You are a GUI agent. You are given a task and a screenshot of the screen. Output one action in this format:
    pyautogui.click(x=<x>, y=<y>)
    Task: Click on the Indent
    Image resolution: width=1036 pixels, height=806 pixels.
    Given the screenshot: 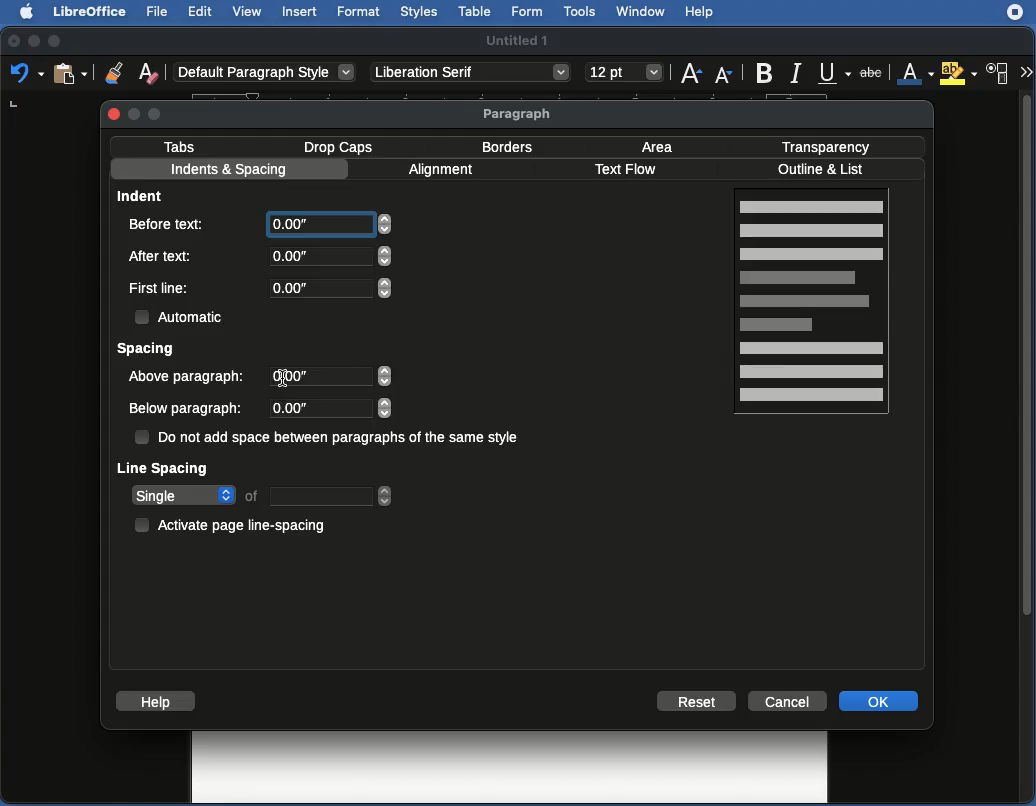 What is the action you would take?
    pyautogui.click(x=143, y=195)
    